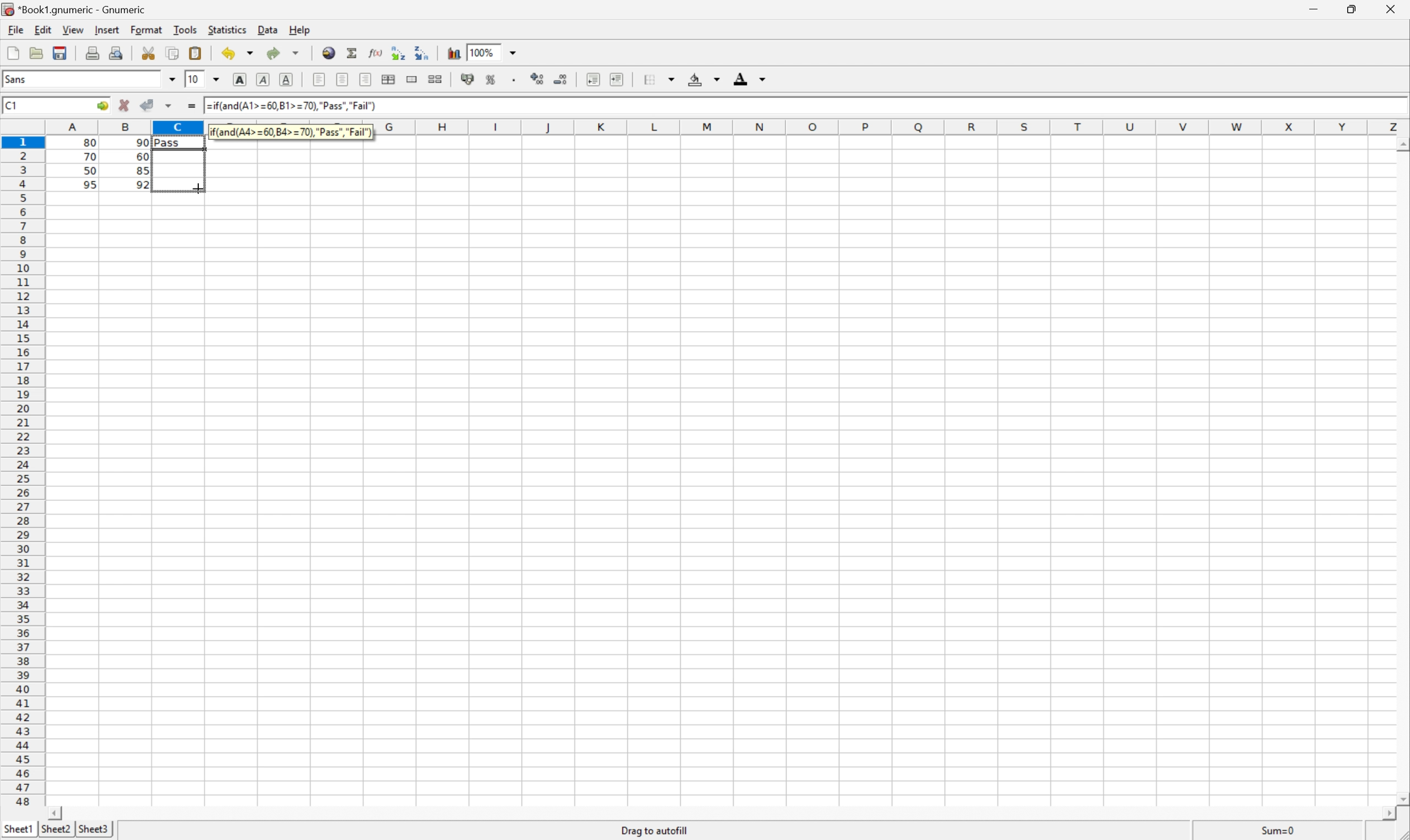 This screenshot has height=840, width=1410. What do you see at coordinates (391, 78) in the screenshot?
I see `Center horizontally across selection` at bounding box center [391, 78].